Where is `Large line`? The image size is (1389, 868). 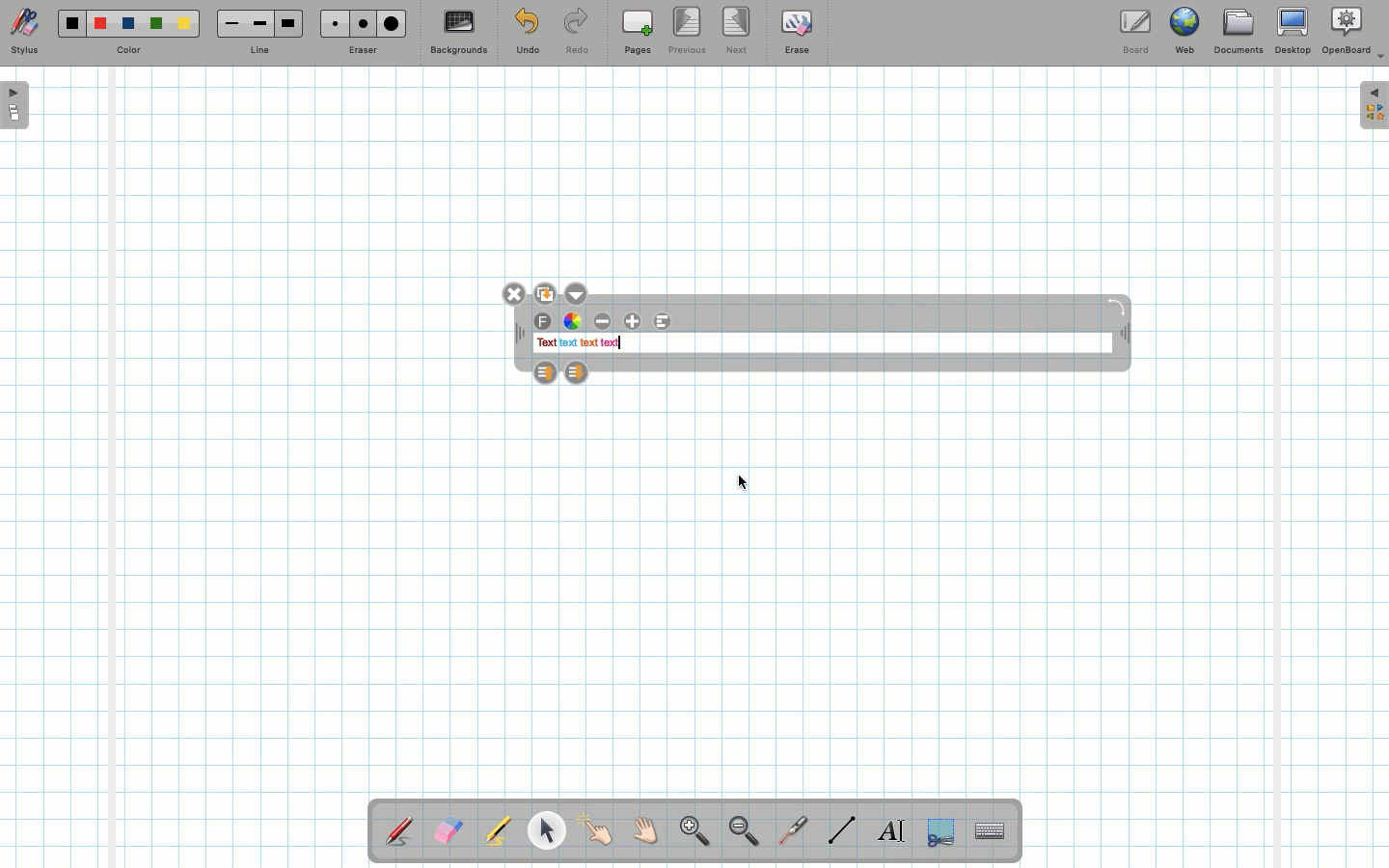 Large line is located at coordinates (289, 23).